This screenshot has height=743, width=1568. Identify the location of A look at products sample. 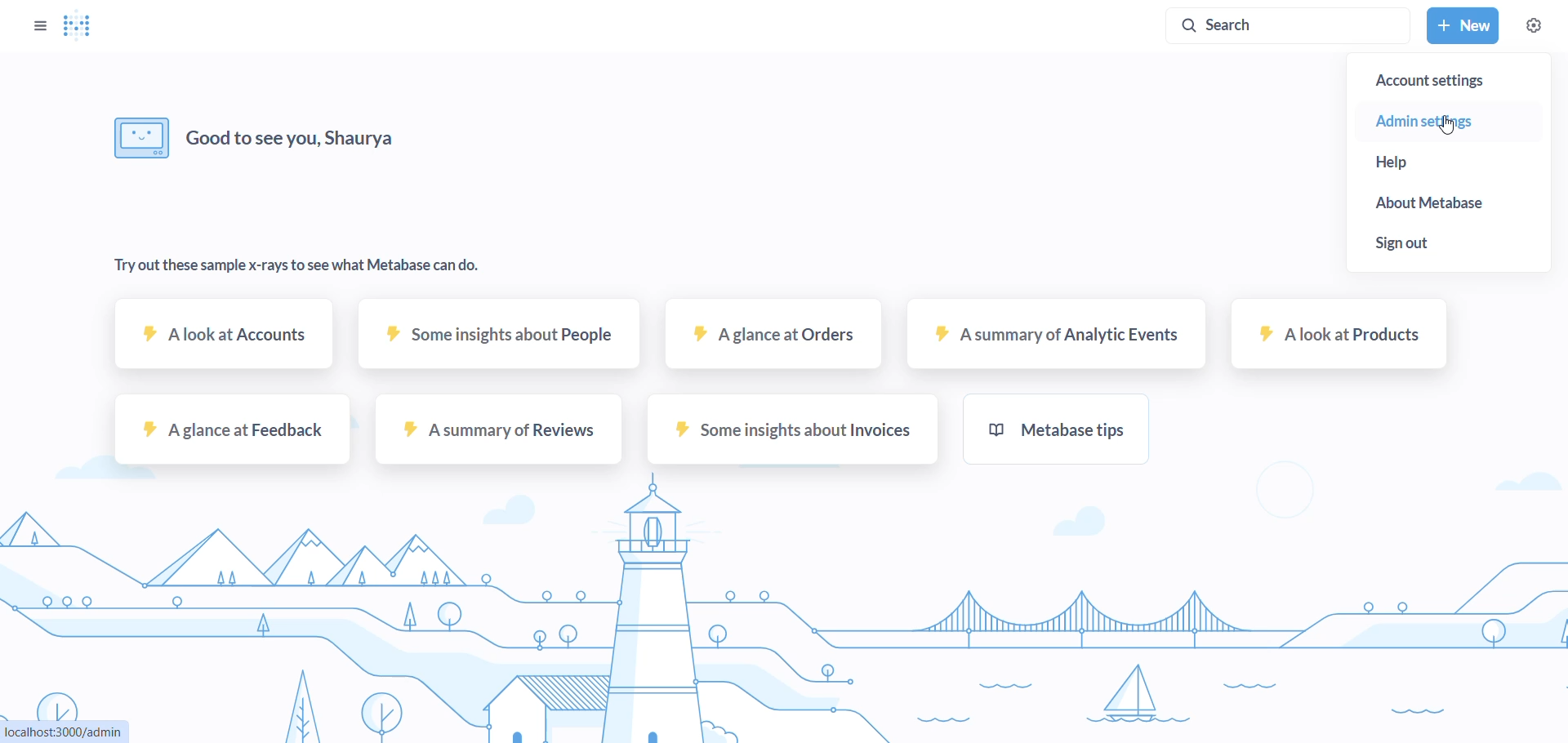
(1343, 339).